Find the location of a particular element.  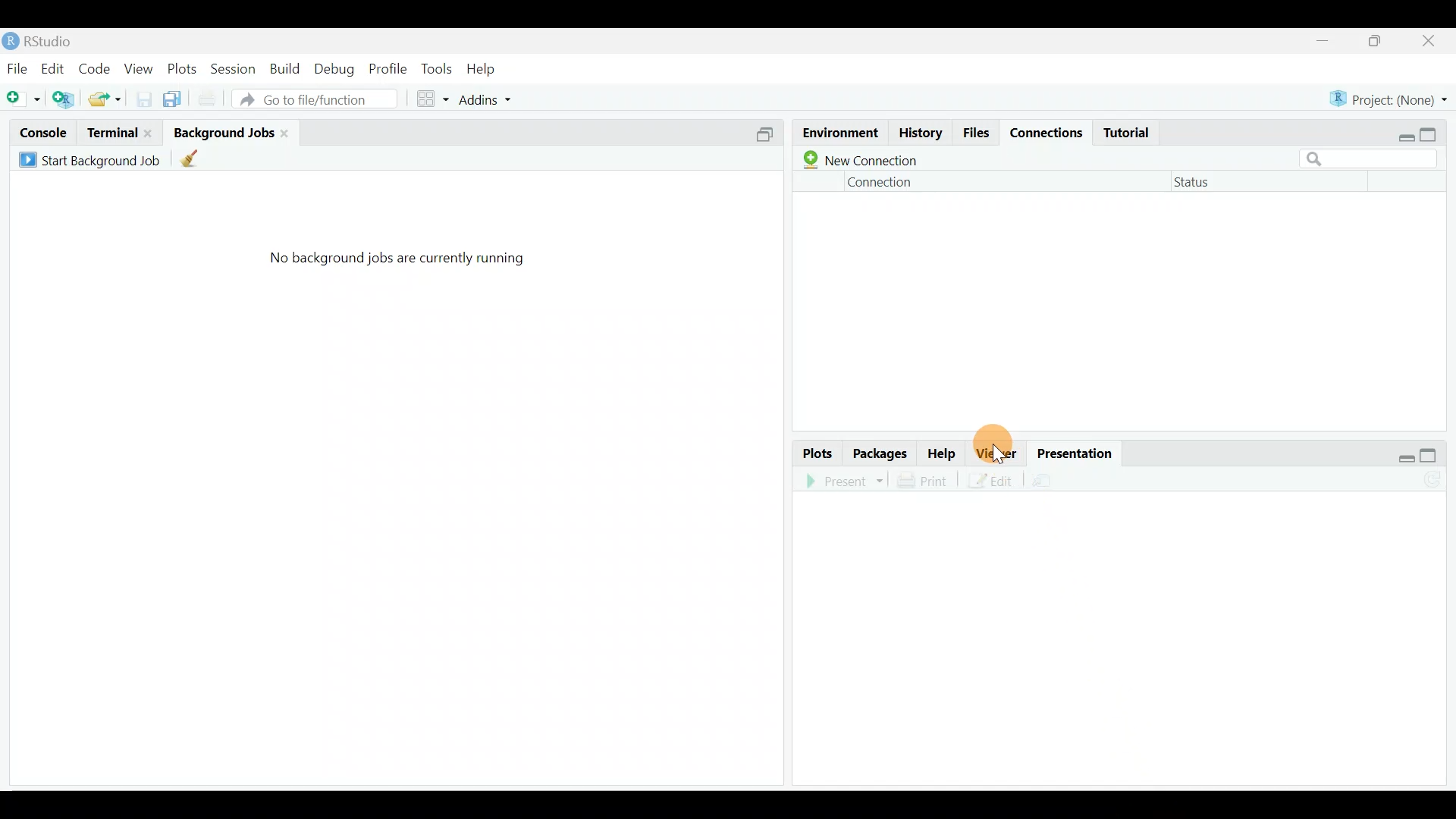

New file is located at coordinates (24, 96).